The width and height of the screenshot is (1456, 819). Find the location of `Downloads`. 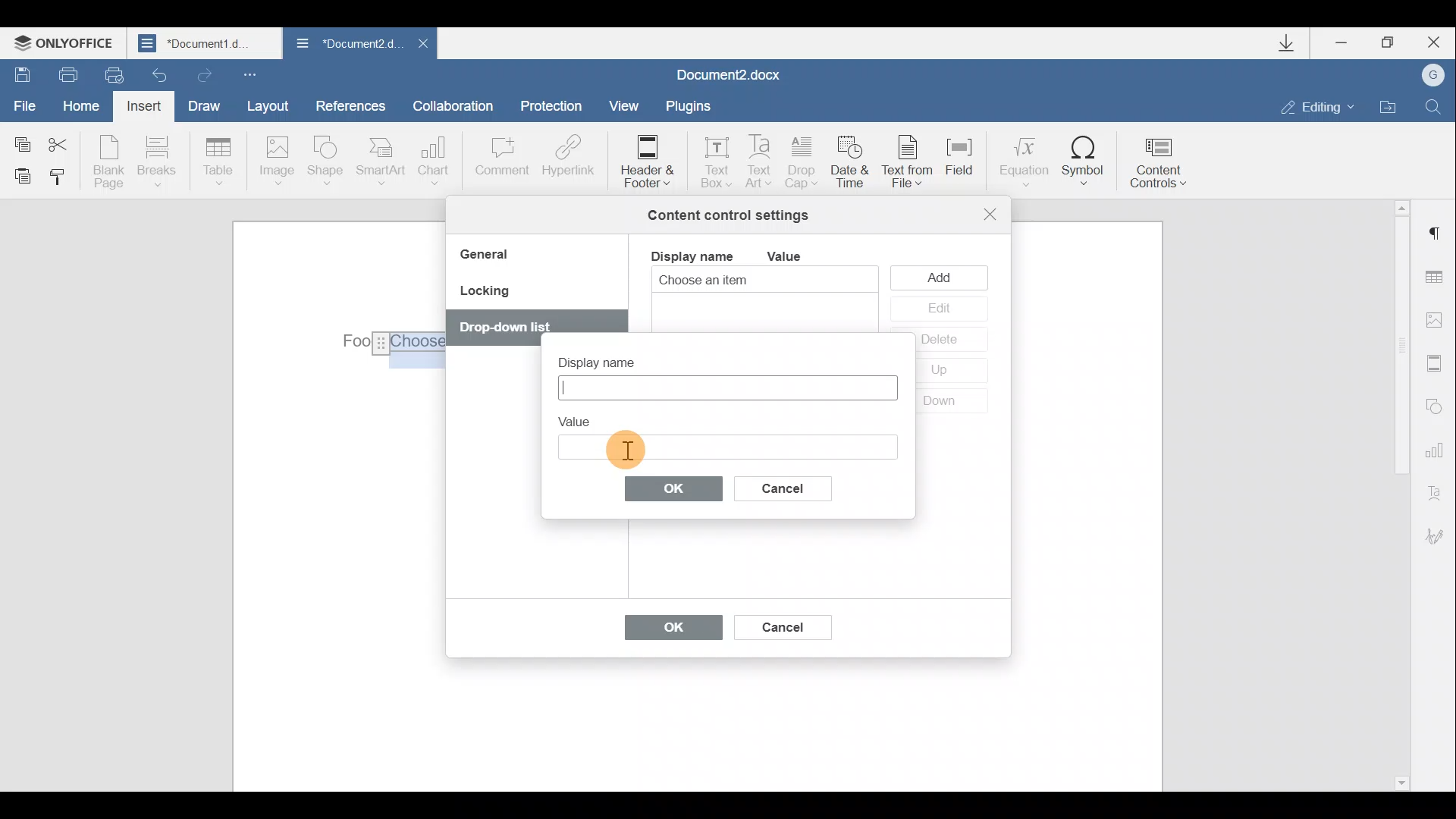

Downloads is located at coordinates (1292, 43).